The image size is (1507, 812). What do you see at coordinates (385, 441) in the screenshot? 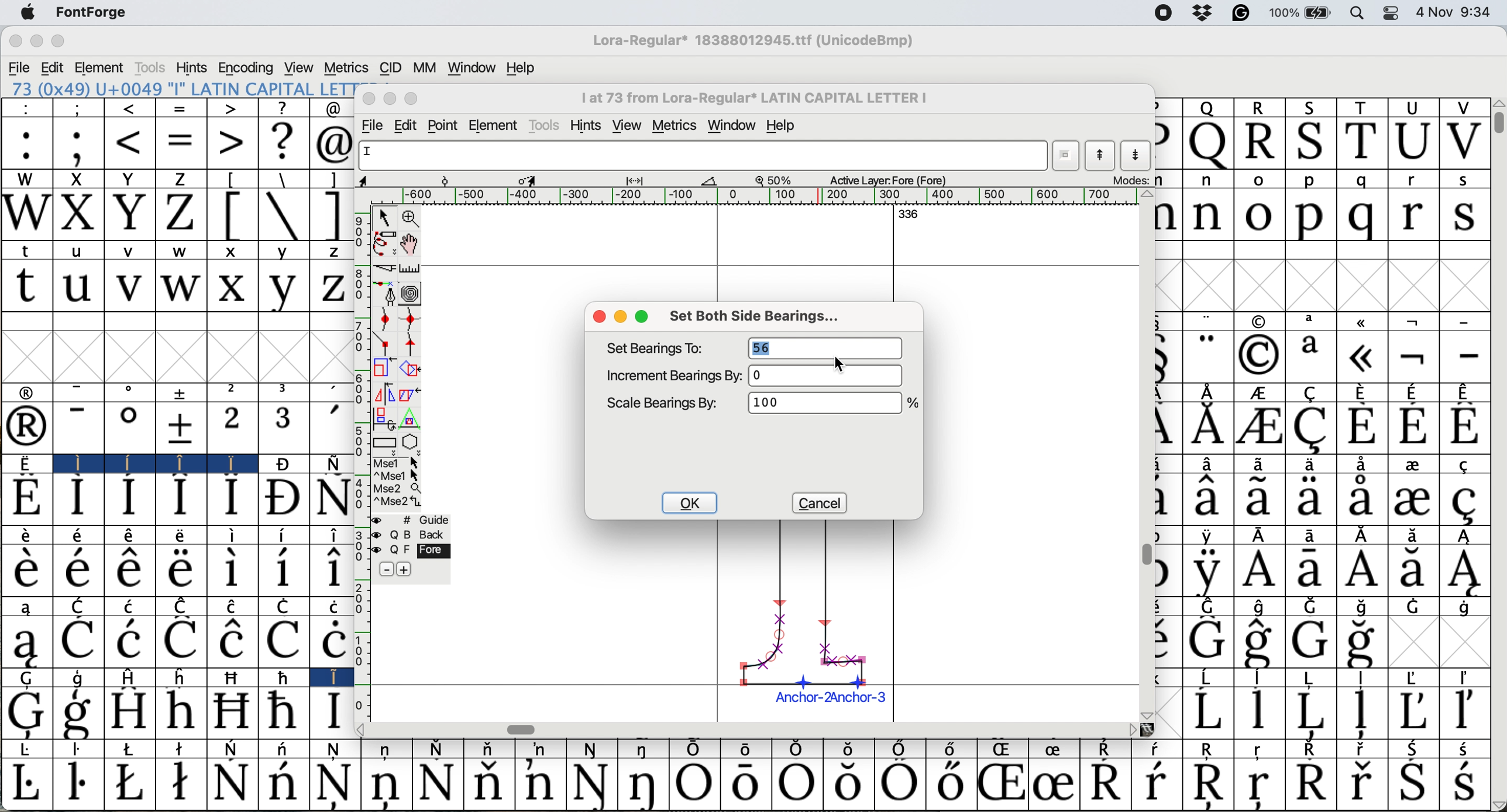
I see `rectangles and ellipse` at bounding box center [385, 441].